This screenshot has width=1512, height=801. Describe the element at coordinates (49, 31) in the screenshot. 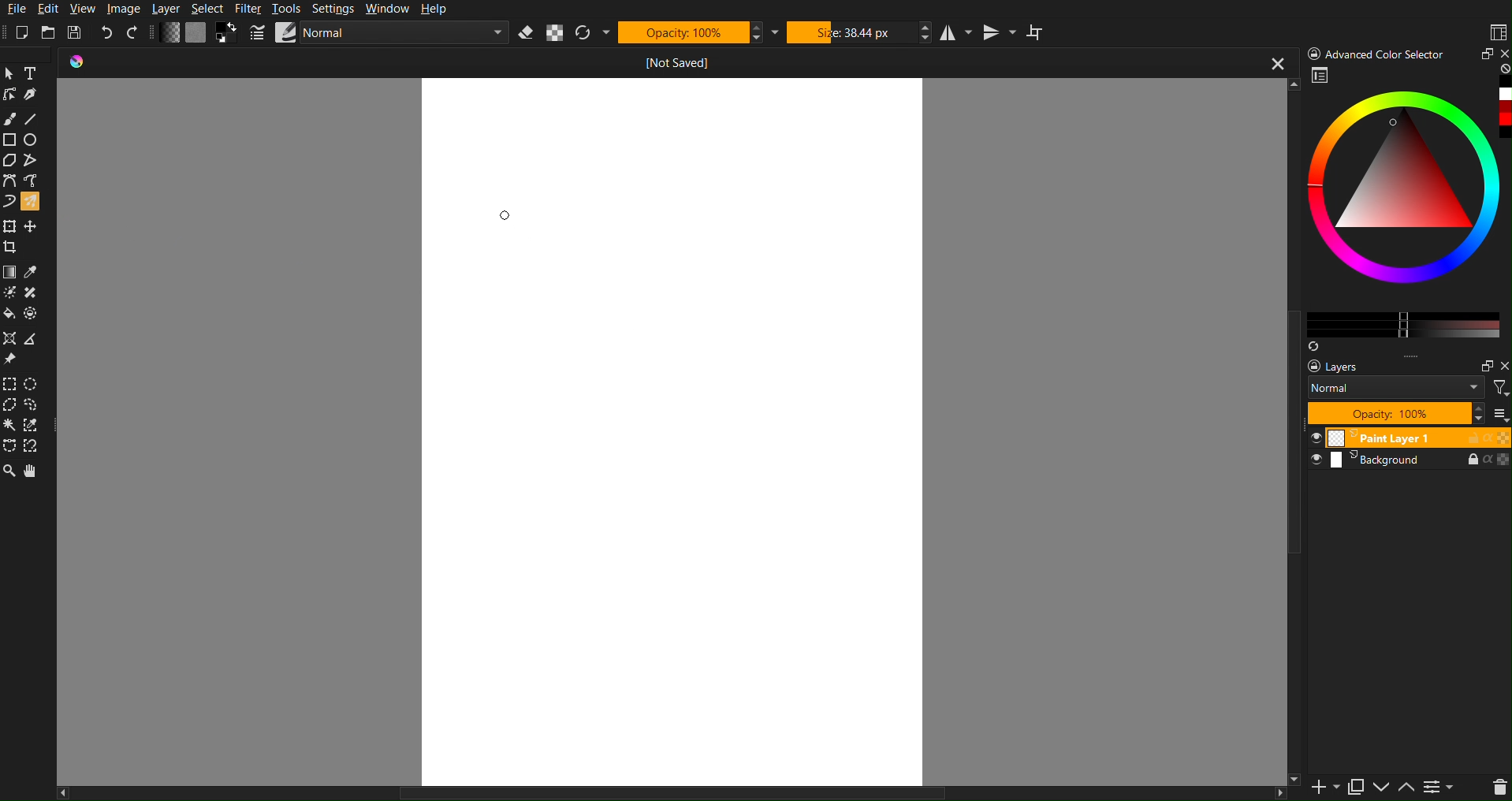

I see `Open` at that location.